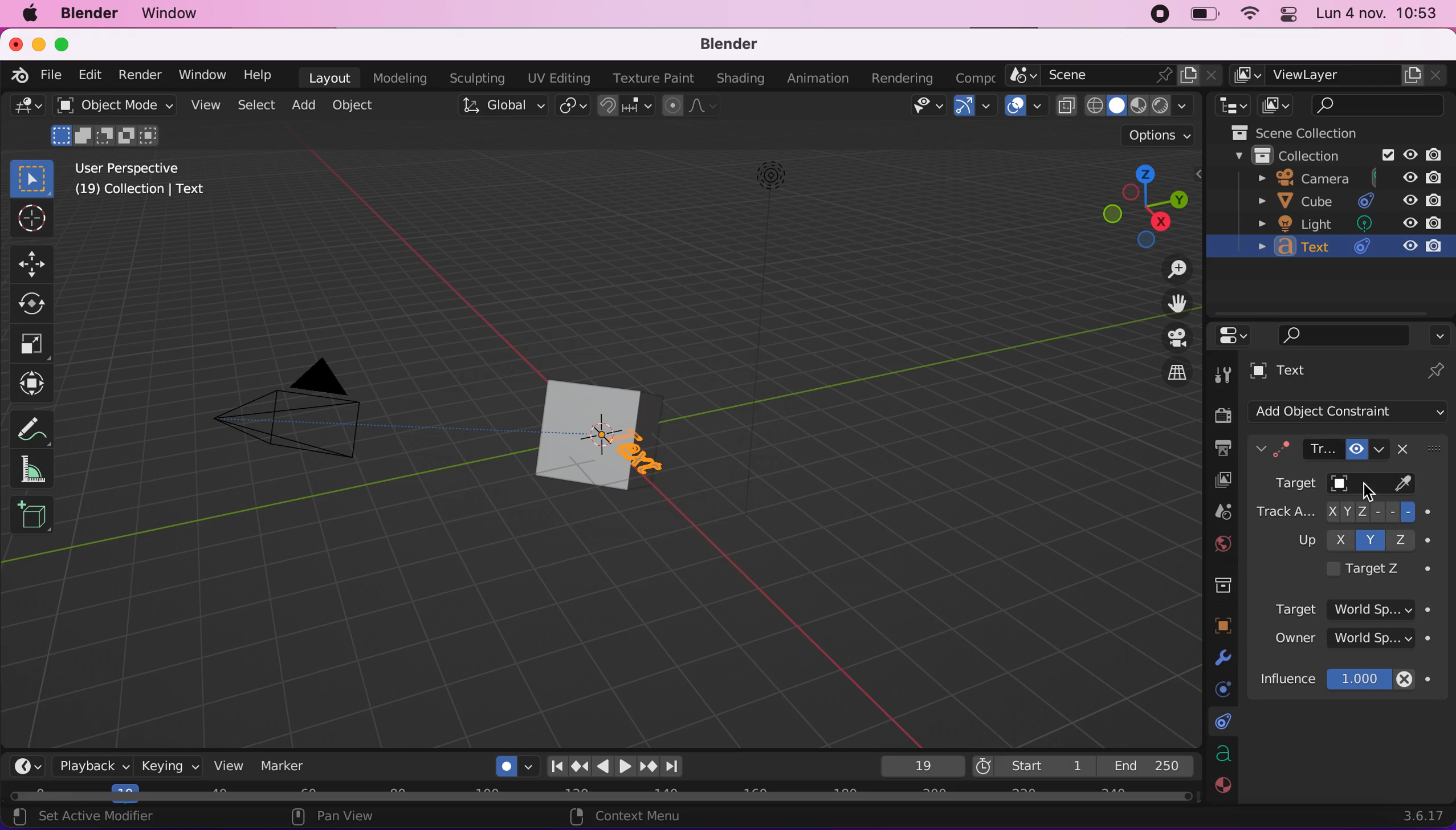 The image size is (1456, 830). What do you see at coordinates (1328, 450) in the screenshot?
I see `constraint panel` at bounding box center [1328, 450].